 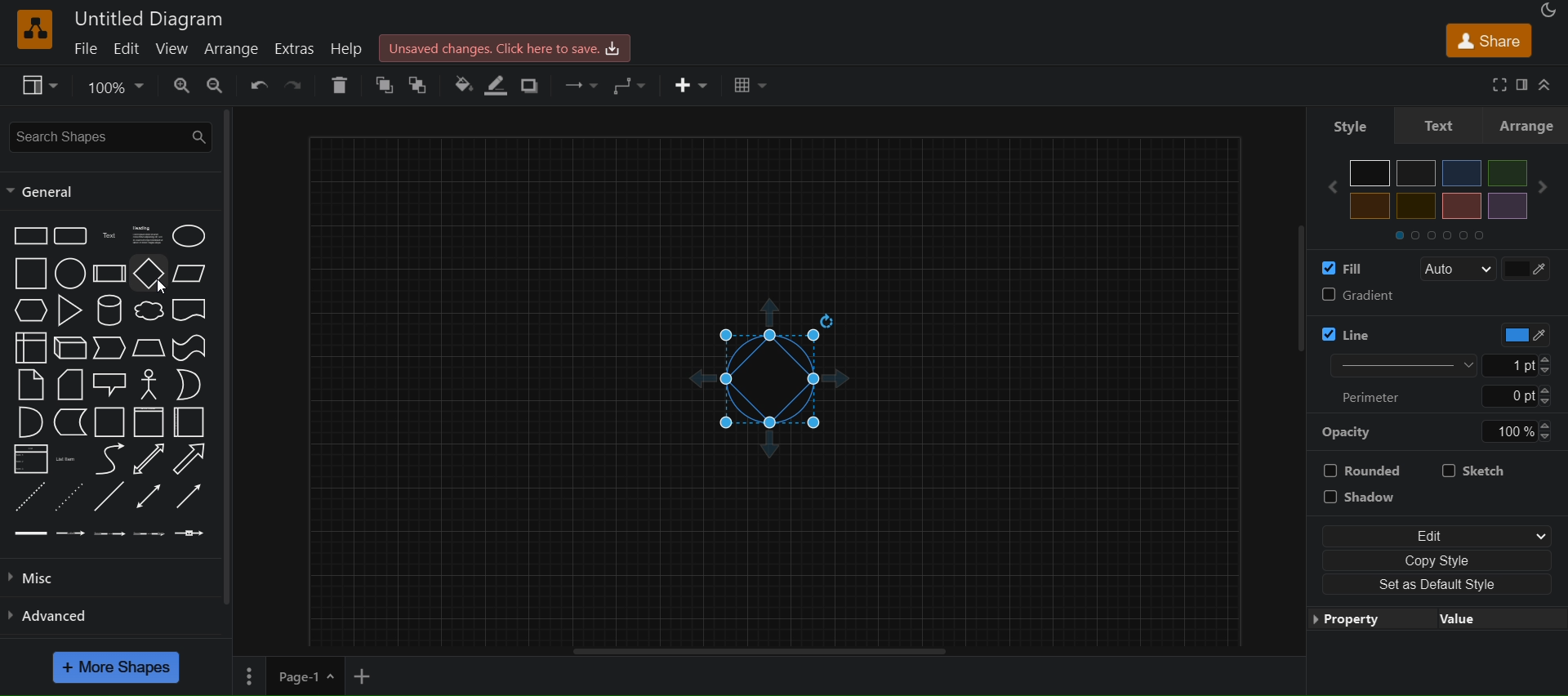 What do you see at coordinates (149, 275) in the screenshot?
I see `diamond` at bounding box center [149, 275].